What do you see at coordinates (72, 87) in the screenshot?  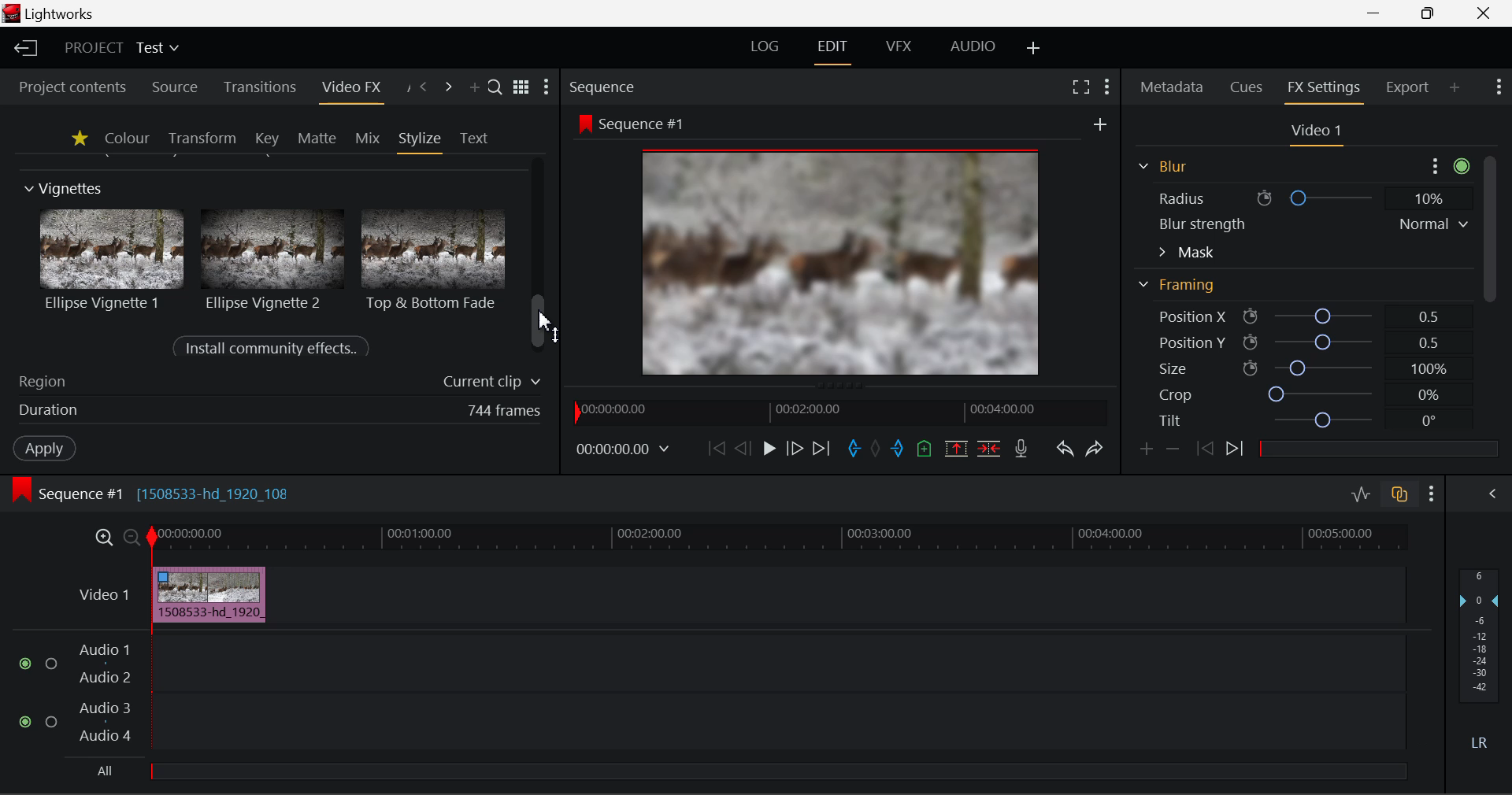 I see `Project contents` at bounding box center [72, 87].